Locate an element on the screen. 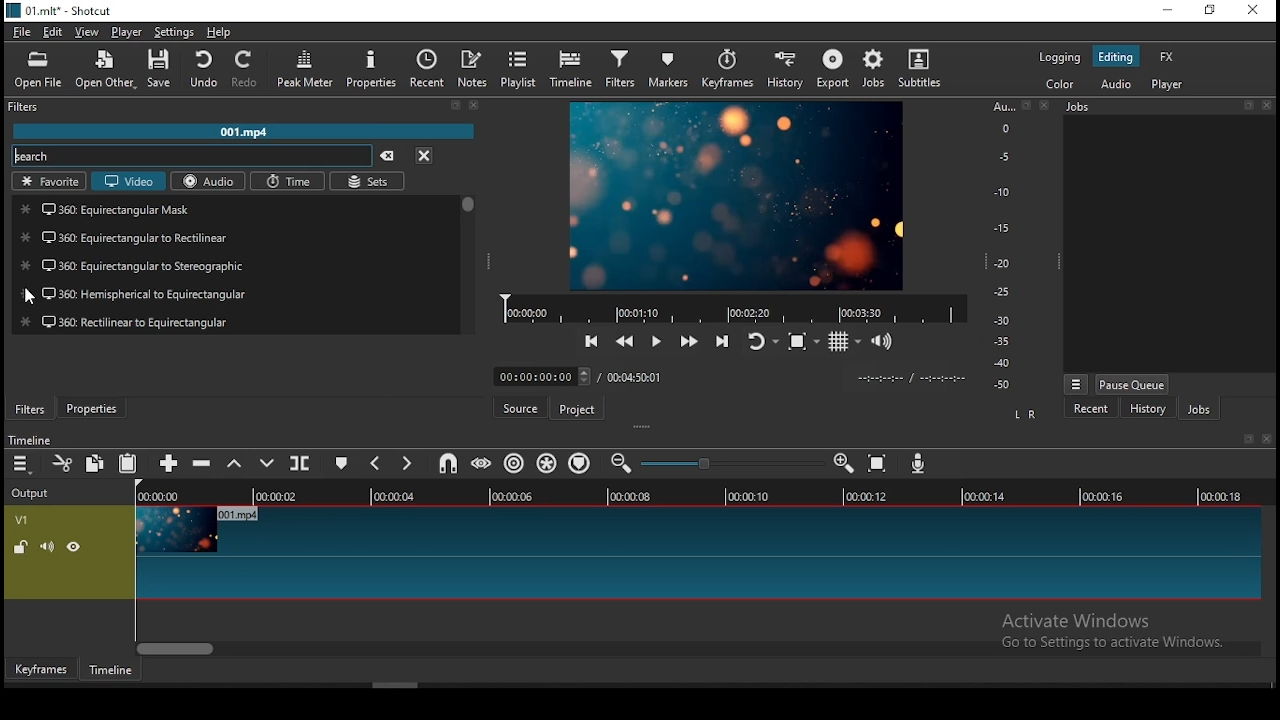 This screenshot has height=720, width=1280. timeline menu is located at coordinates (23, 464).